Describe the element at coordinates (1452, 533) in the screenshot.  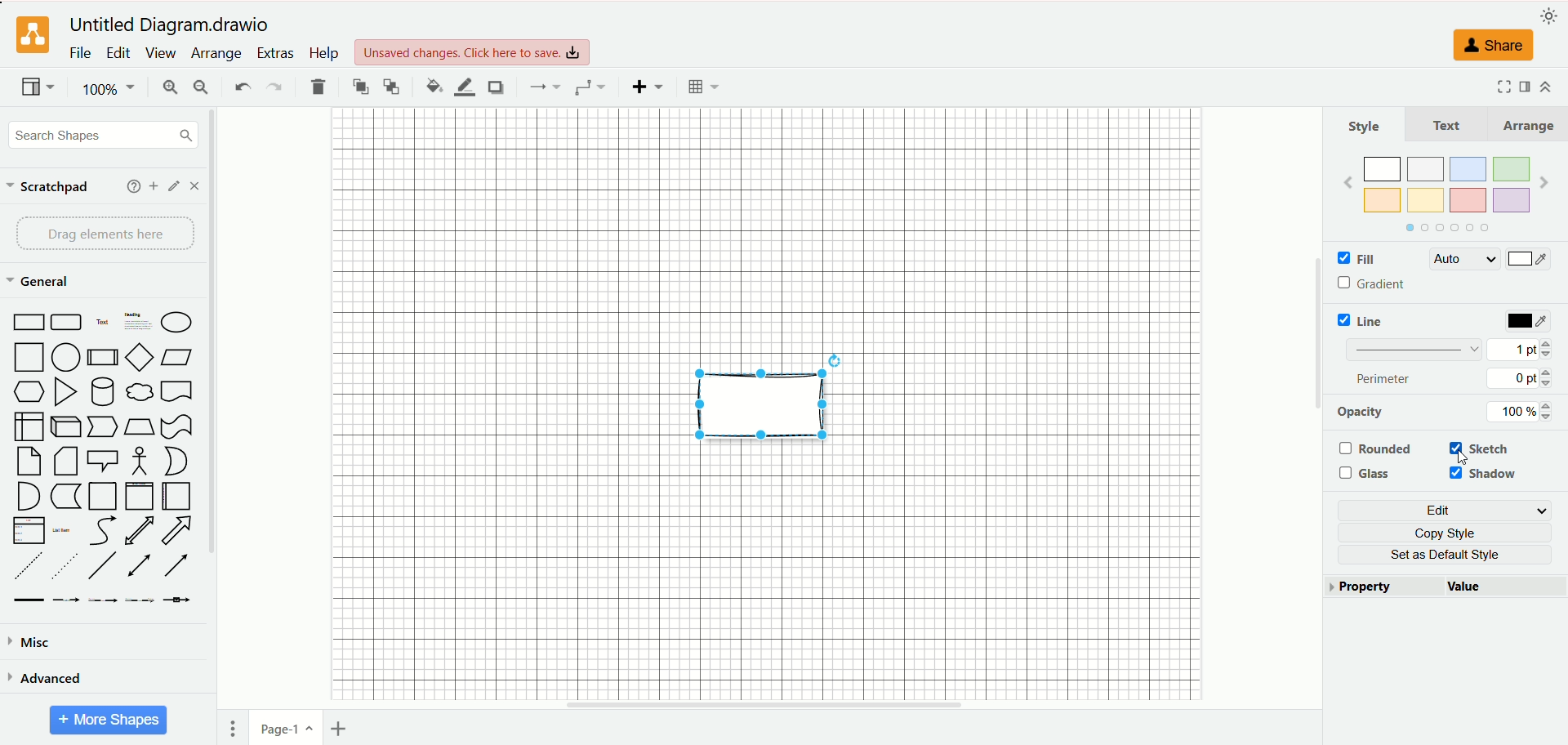
I see `copy style` at that location.